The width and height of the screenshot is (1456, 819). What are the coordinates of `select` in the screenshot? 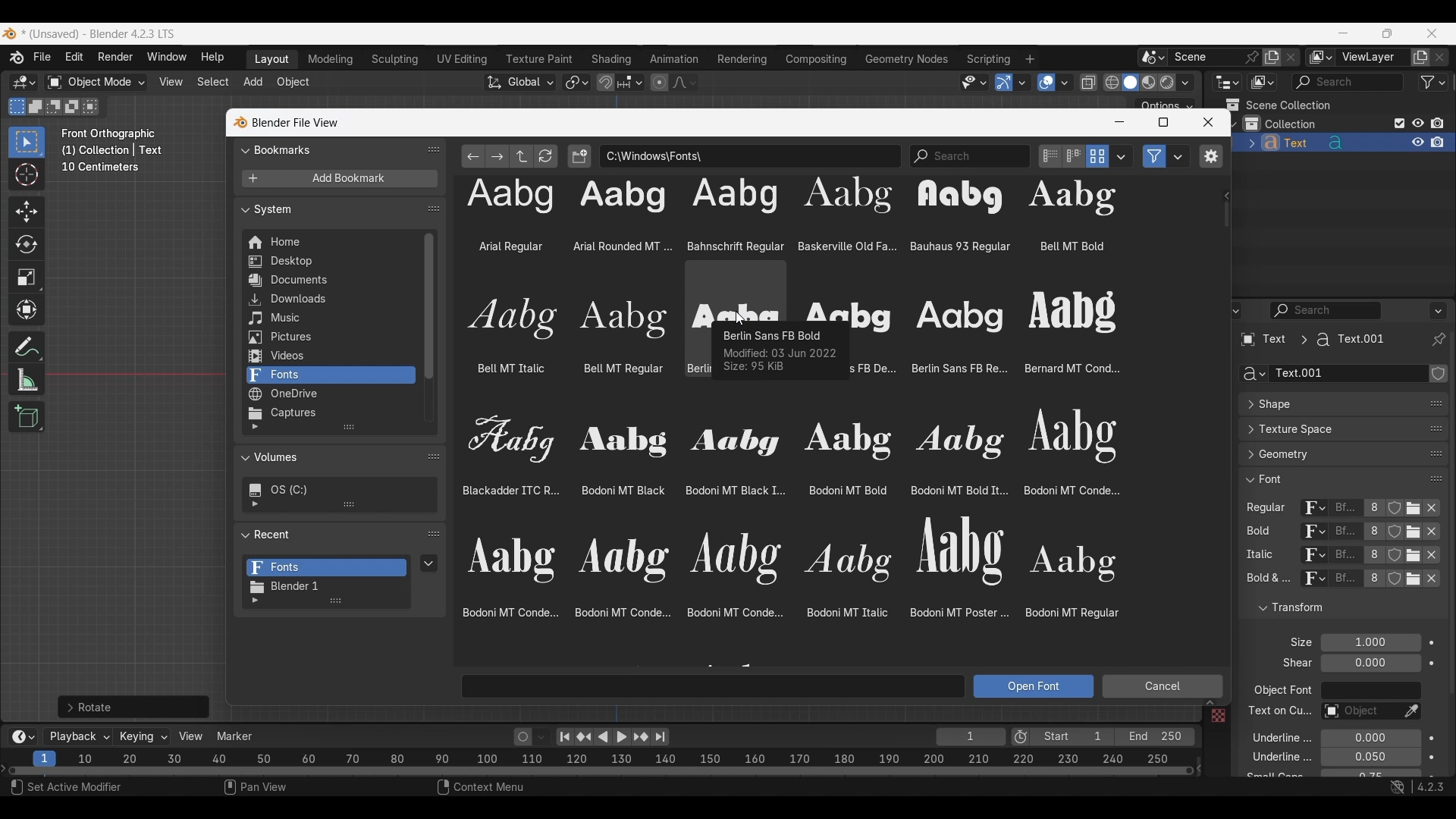 It's located at (93, 106).